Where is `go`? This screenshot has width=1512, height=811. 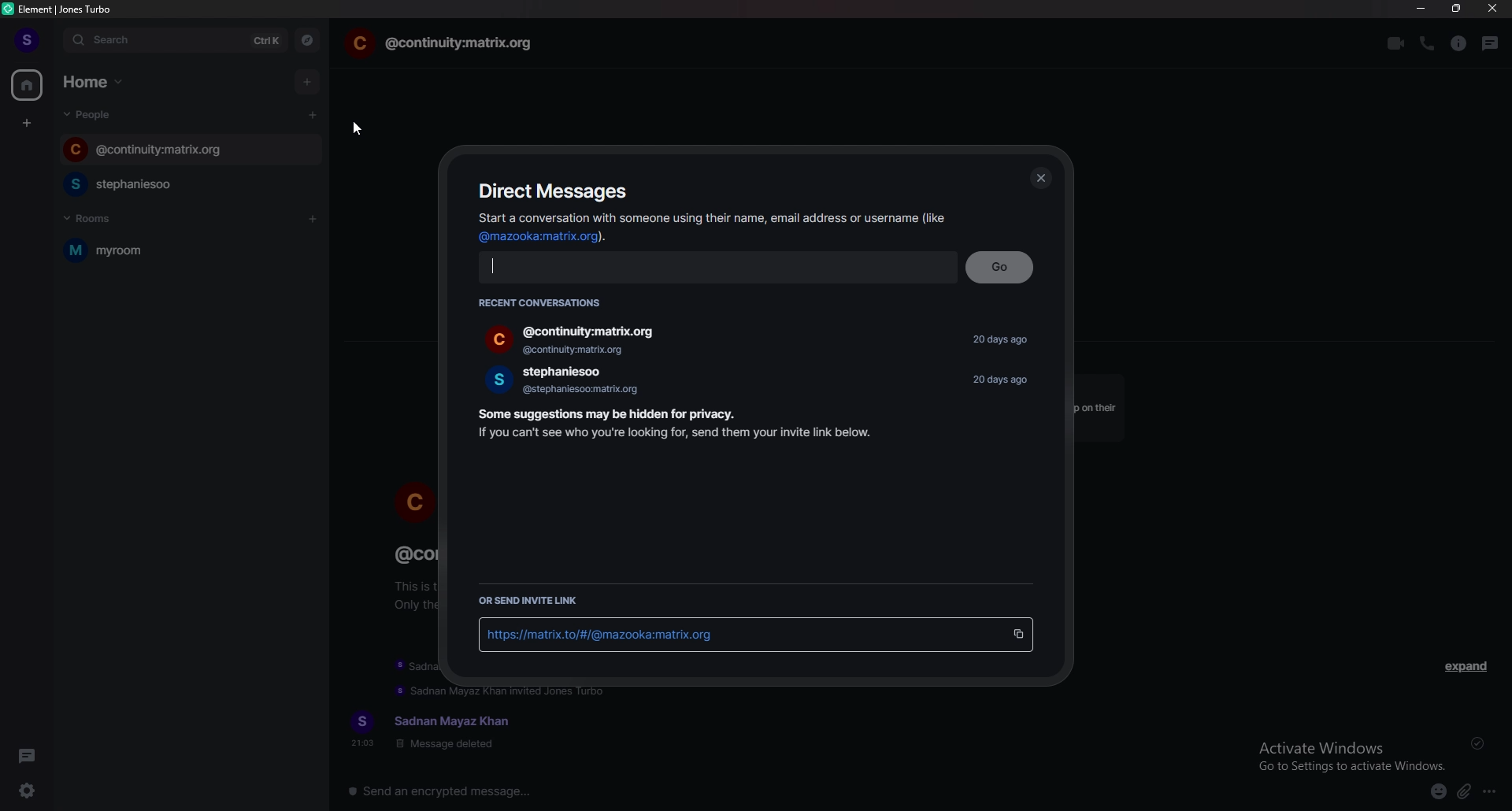 go is located at coordinates (1000, 267).